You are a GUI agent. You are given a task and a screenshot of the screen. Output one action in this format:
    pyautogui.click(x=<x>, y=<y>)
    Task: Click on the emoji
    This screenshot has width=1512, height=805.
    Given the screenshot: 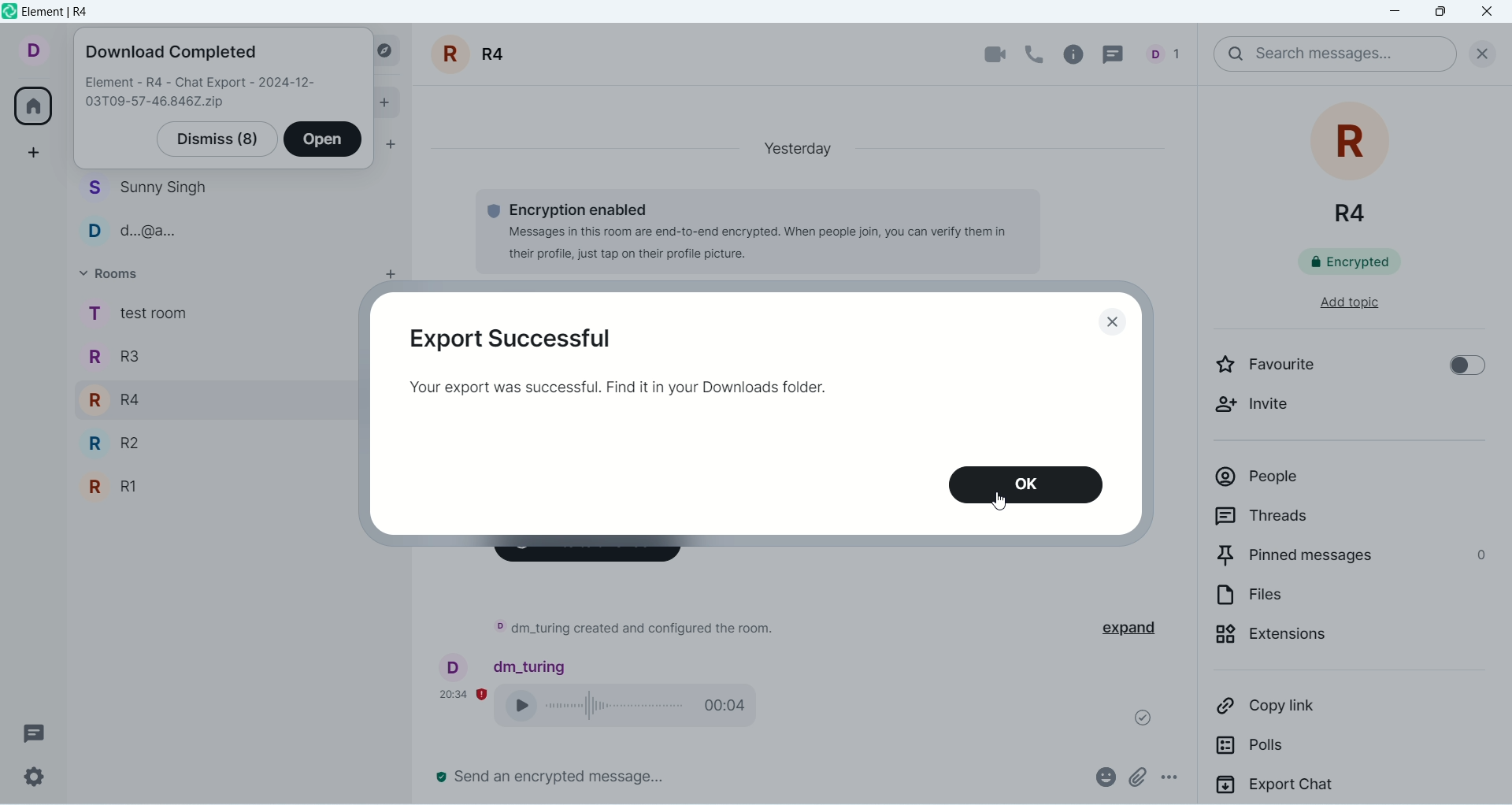 What is the action you would take?
    pyautogui.click(x=1103, y=775)
    